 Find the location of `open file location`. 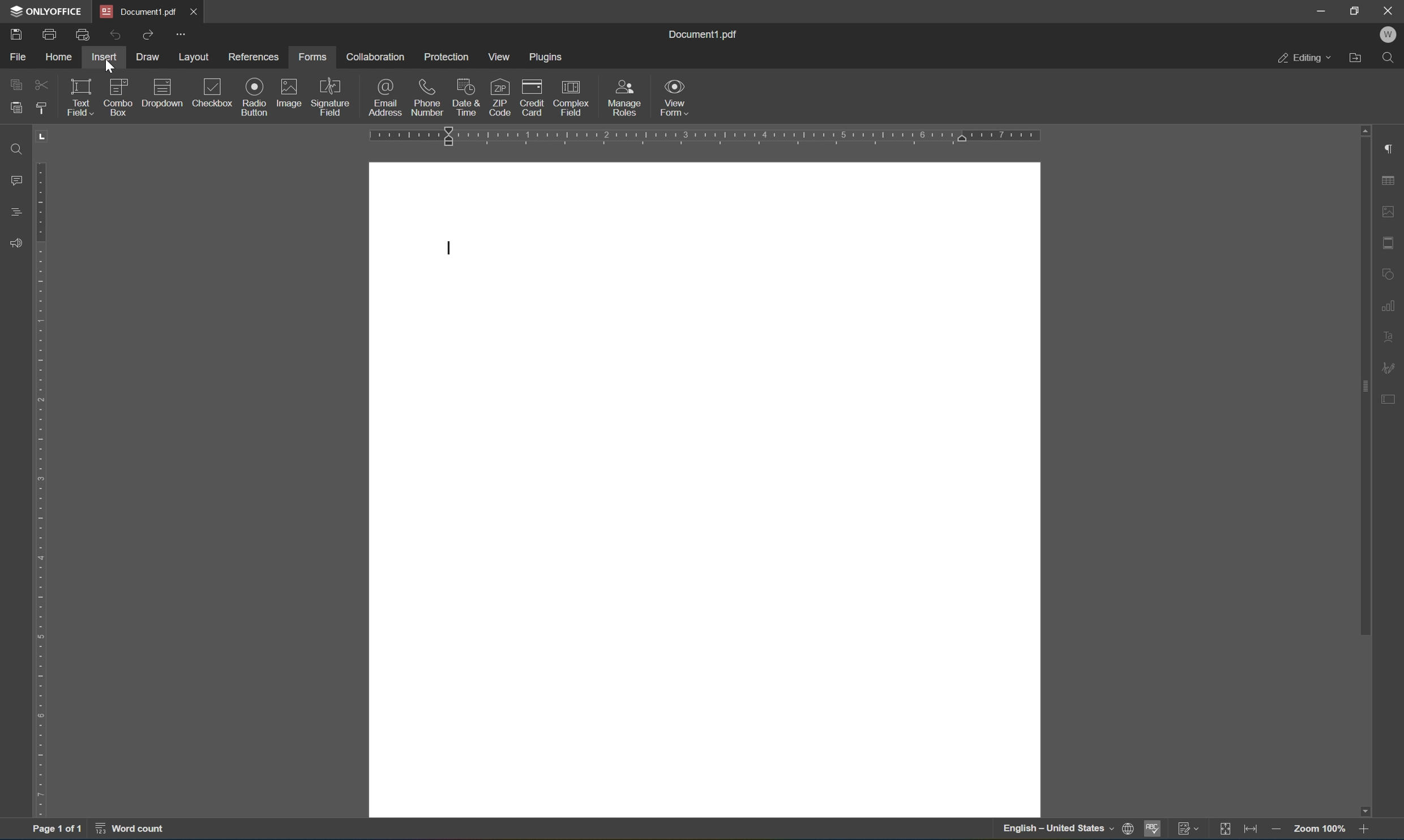

open file location is located at coordinates (1358, 59).